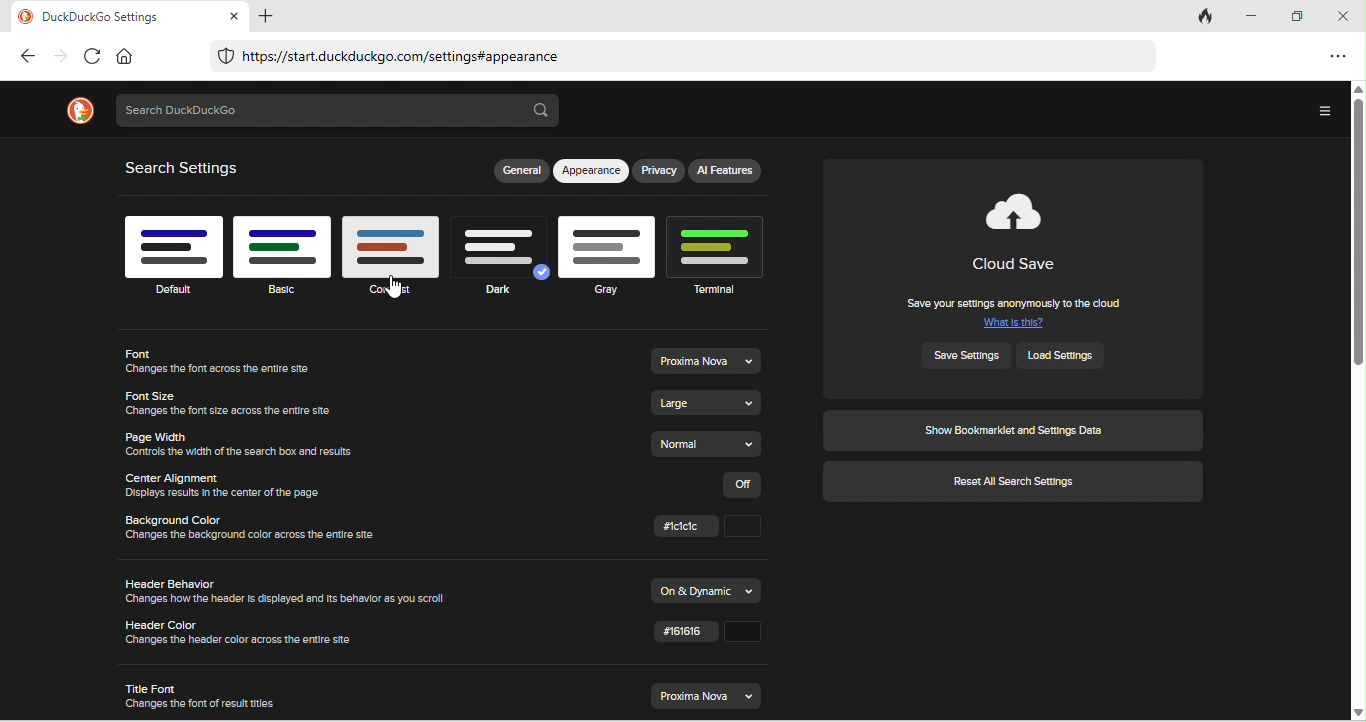 The image size is (1366, 722). What do you see at coordinates (592, 172) in the screenshot?
I see `appearance` at bounding box center [592, 172].